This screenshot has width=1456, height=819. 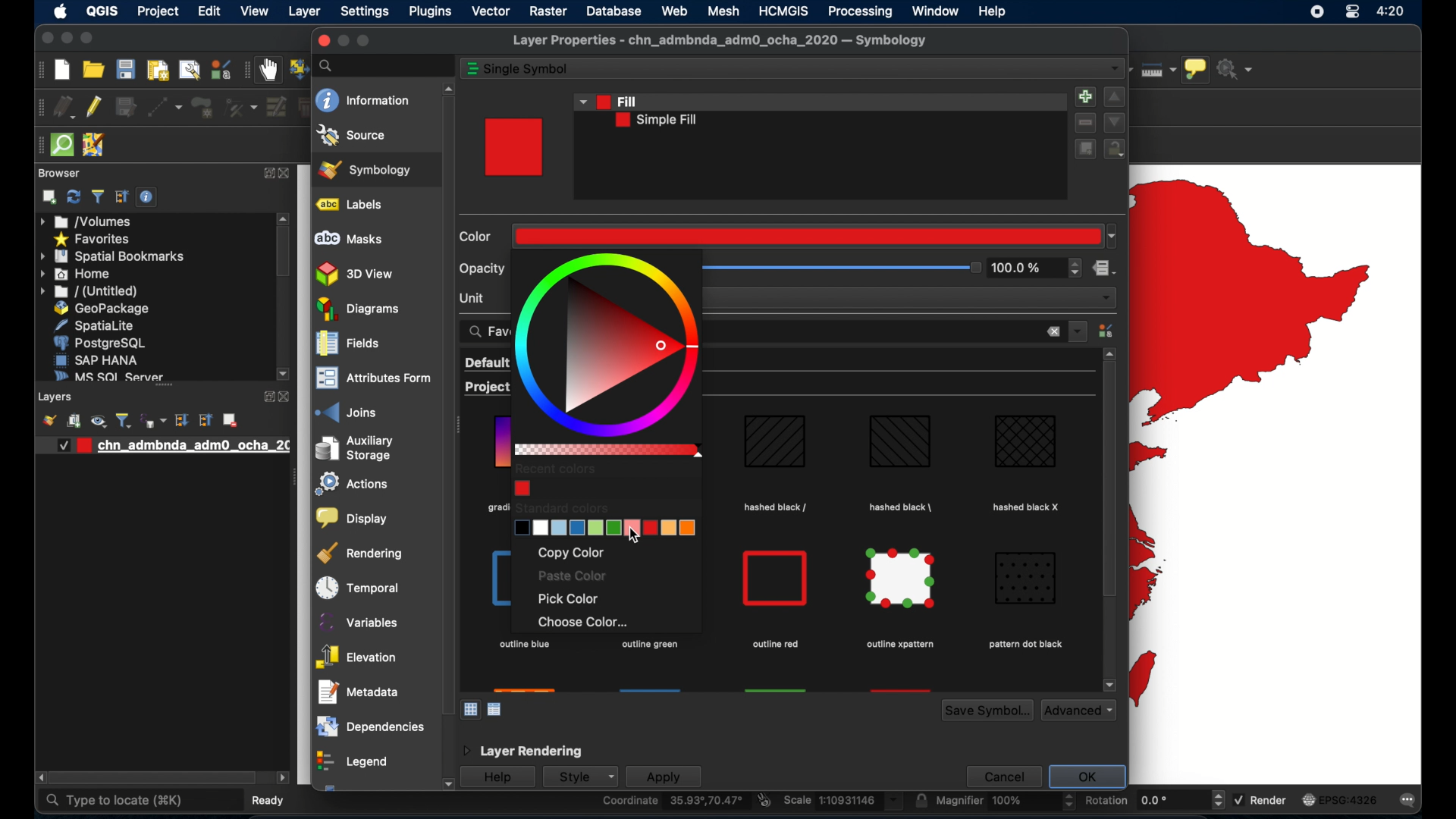 What do you see at coordinates (1115, 122) in the screenshot?
I see `move down` at bounding box center [1115, 122].